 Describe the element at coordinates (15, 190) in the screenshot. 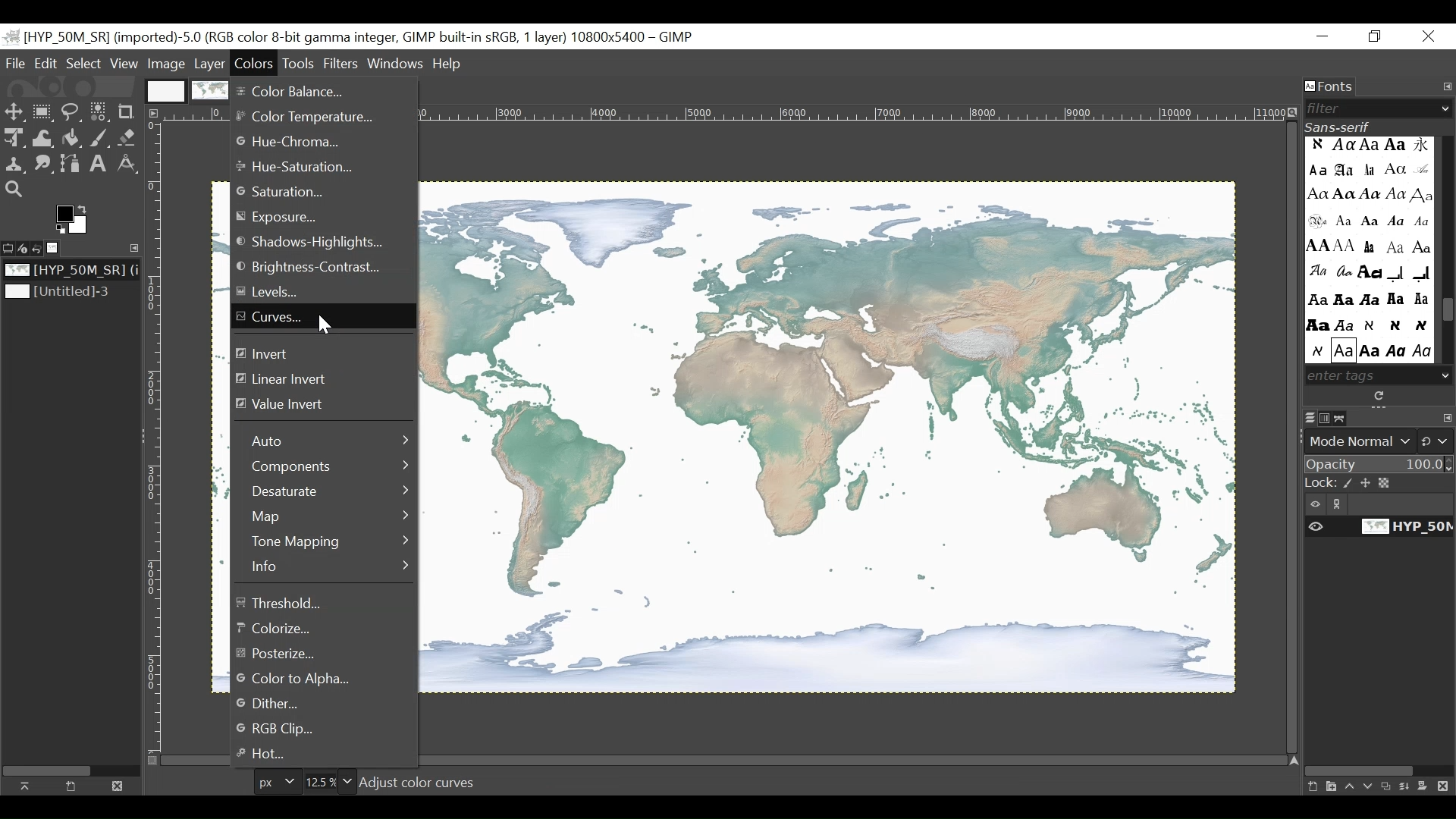

I see `Zoom Tool` at that location.